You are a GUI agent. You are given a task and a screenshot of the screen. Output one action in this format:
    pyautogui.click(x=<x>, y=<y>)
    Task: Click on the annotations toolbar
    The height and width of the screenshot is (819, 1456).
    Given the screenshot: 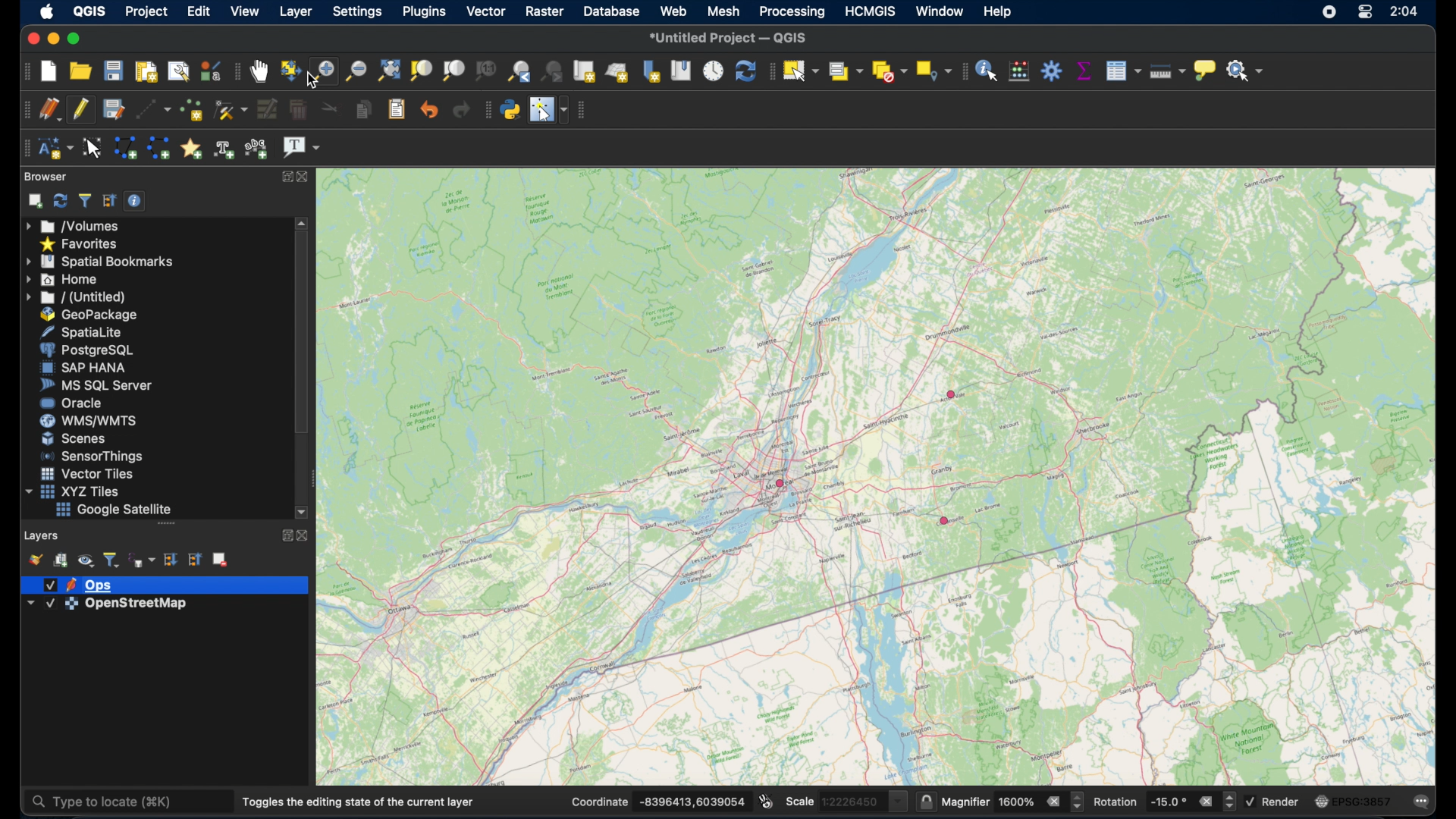 What is the action you would take?
    pyautogui.click(x=25, y=148)
    